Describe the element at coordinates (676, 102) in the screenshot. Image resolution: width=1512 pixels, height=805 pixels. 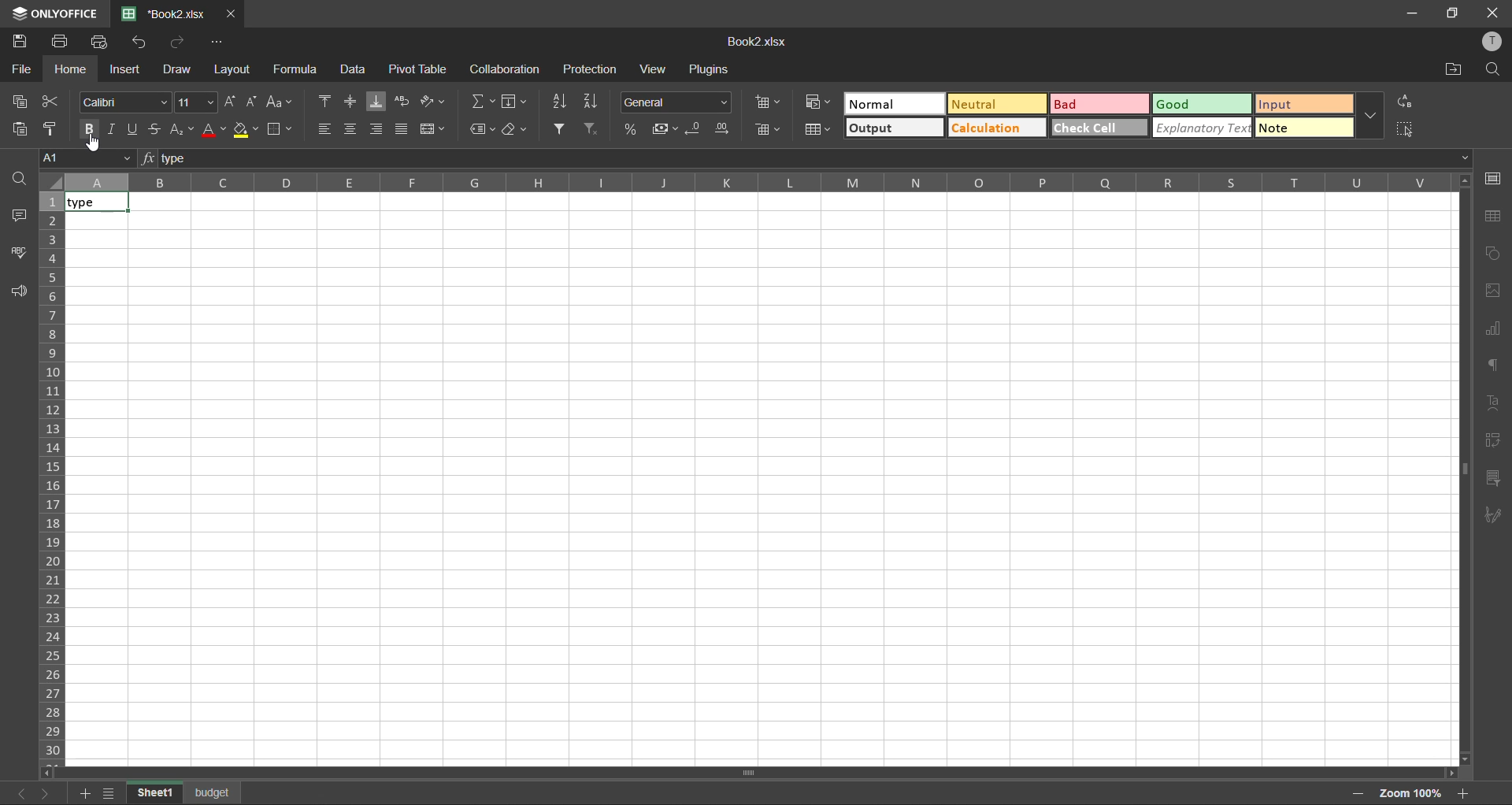
I see `number format` at that location.